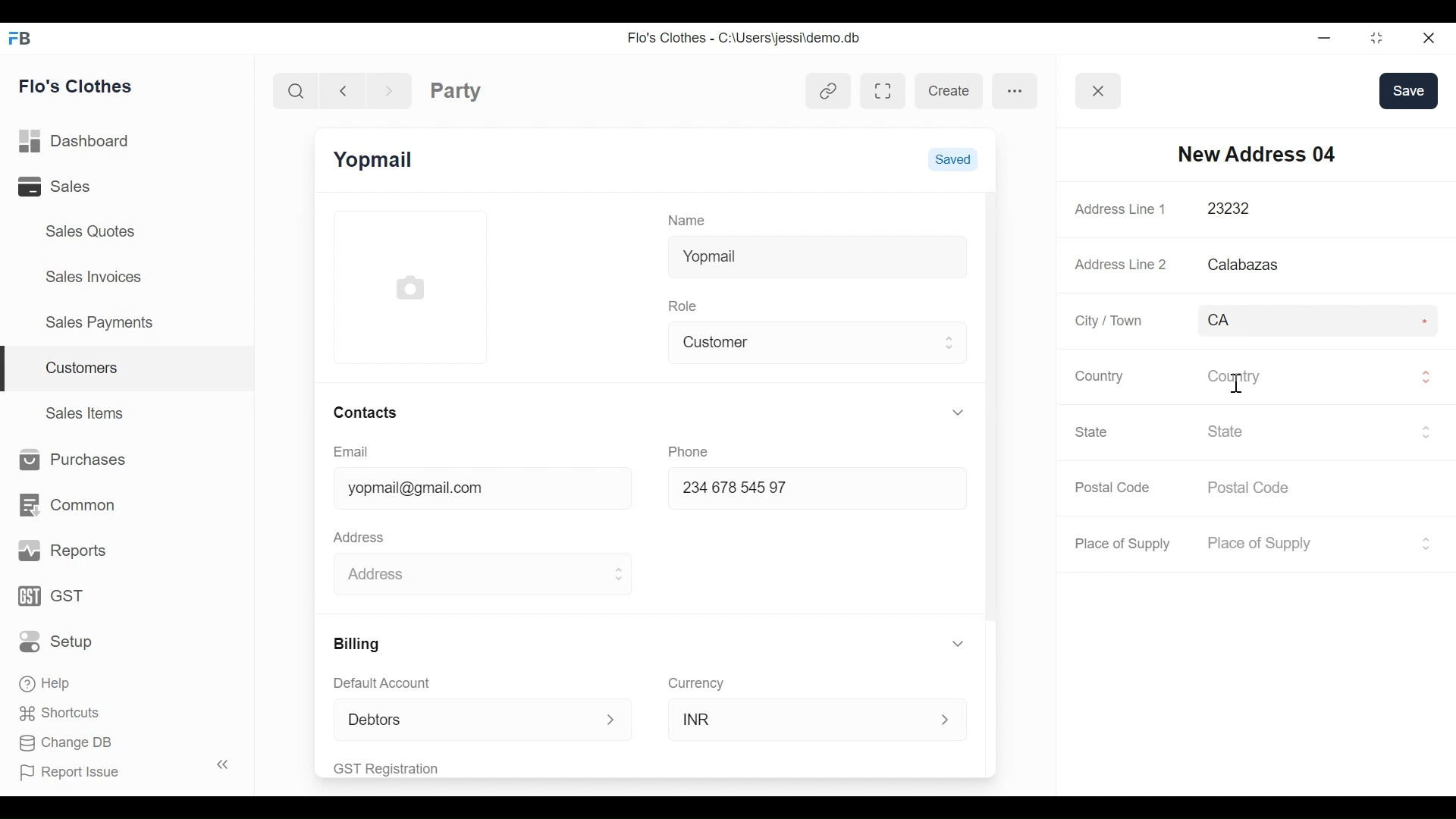 This screenshot has width=1456, height=819. Describe the element at coordinates (458, 719) in the screenshot. I see `Debtors` at that location.